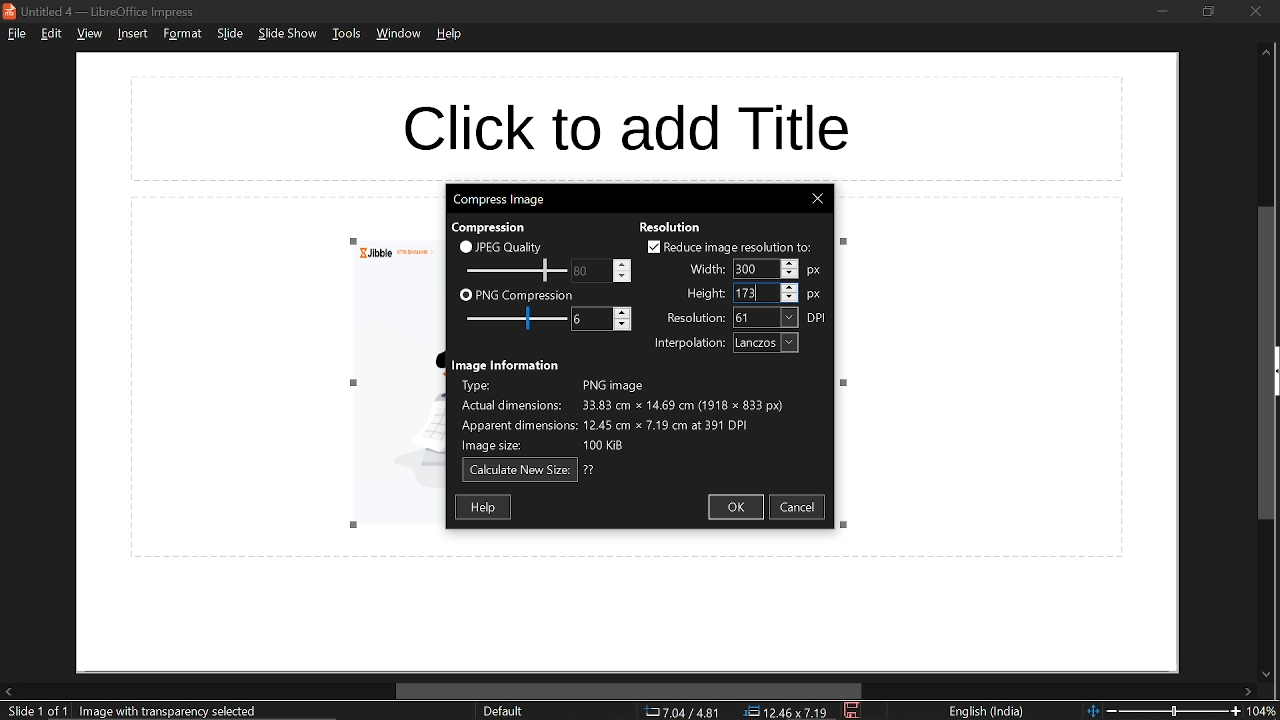  I want to click on vertical scrollbar, so click(1267, 363).